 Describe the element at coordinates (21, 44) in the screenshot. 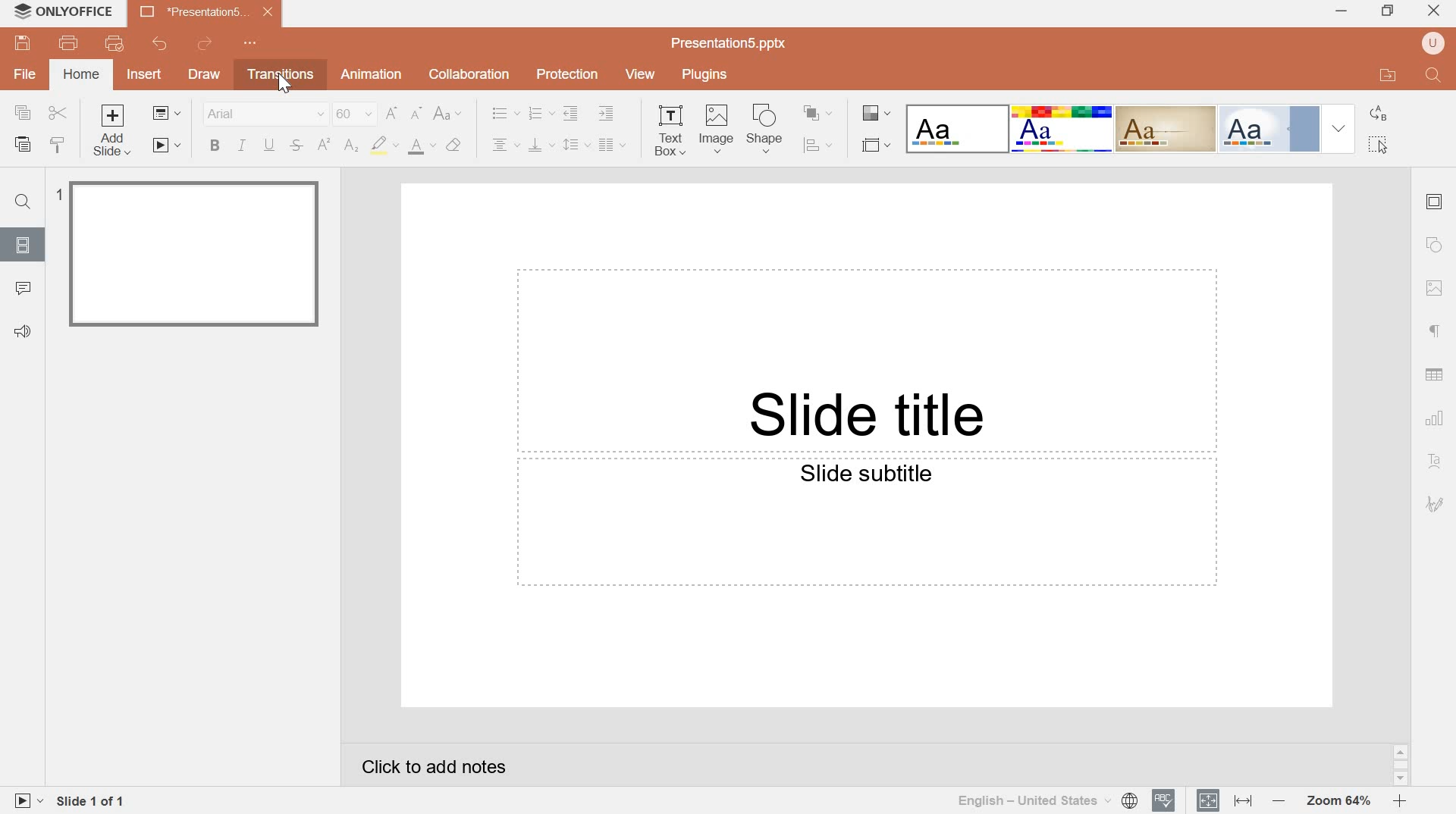

I see `Save` at that location.